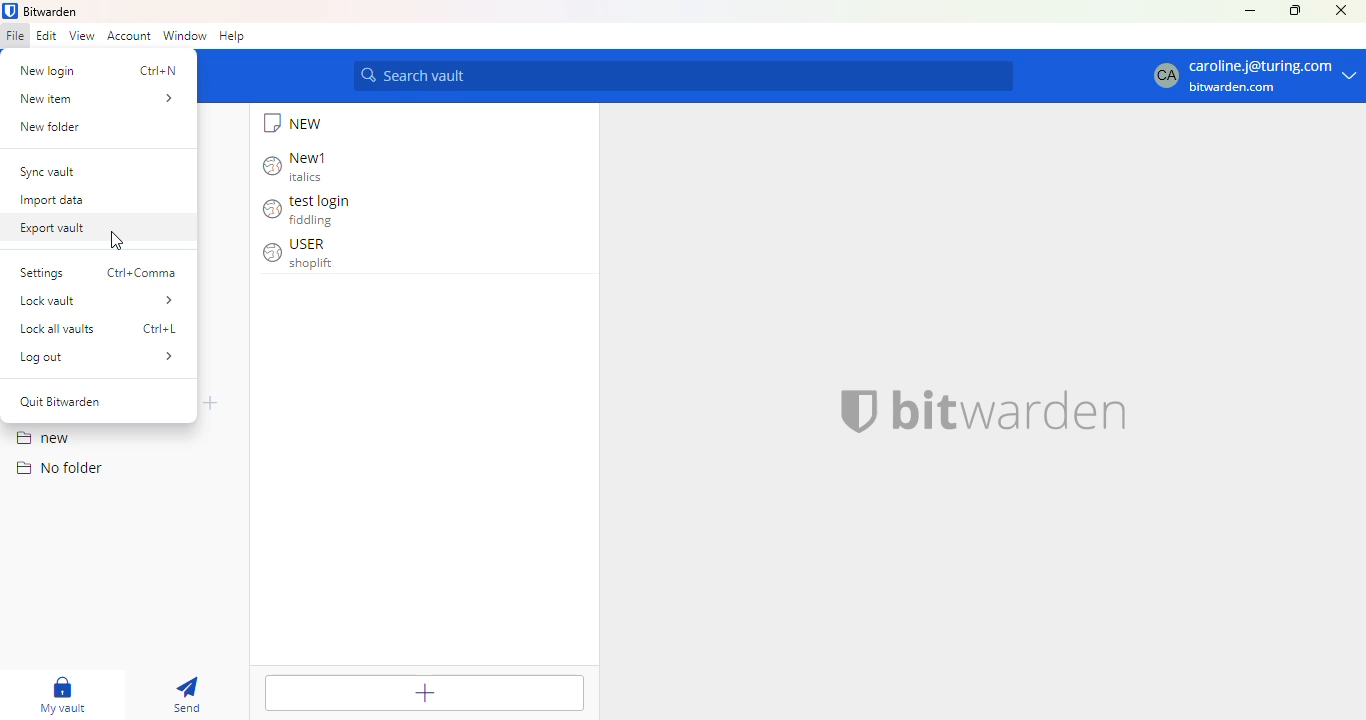  What do you see at coordinates (973, 410) in the screenshot?
I see `bitwarden` at bounding box center [973, 410].